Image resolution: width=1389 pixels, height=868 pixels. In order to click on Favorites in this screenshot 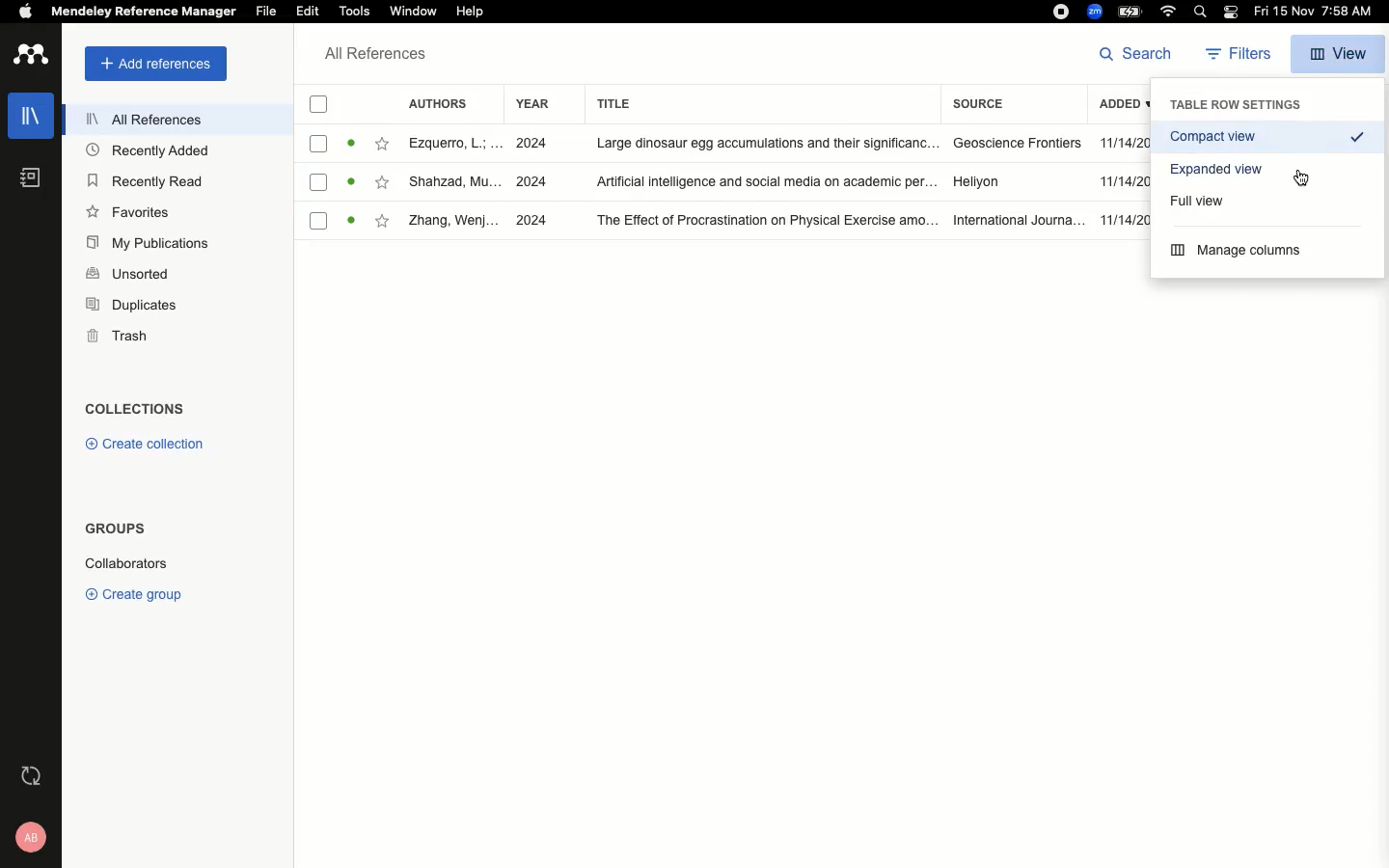, I will do `click(386, 225)`.